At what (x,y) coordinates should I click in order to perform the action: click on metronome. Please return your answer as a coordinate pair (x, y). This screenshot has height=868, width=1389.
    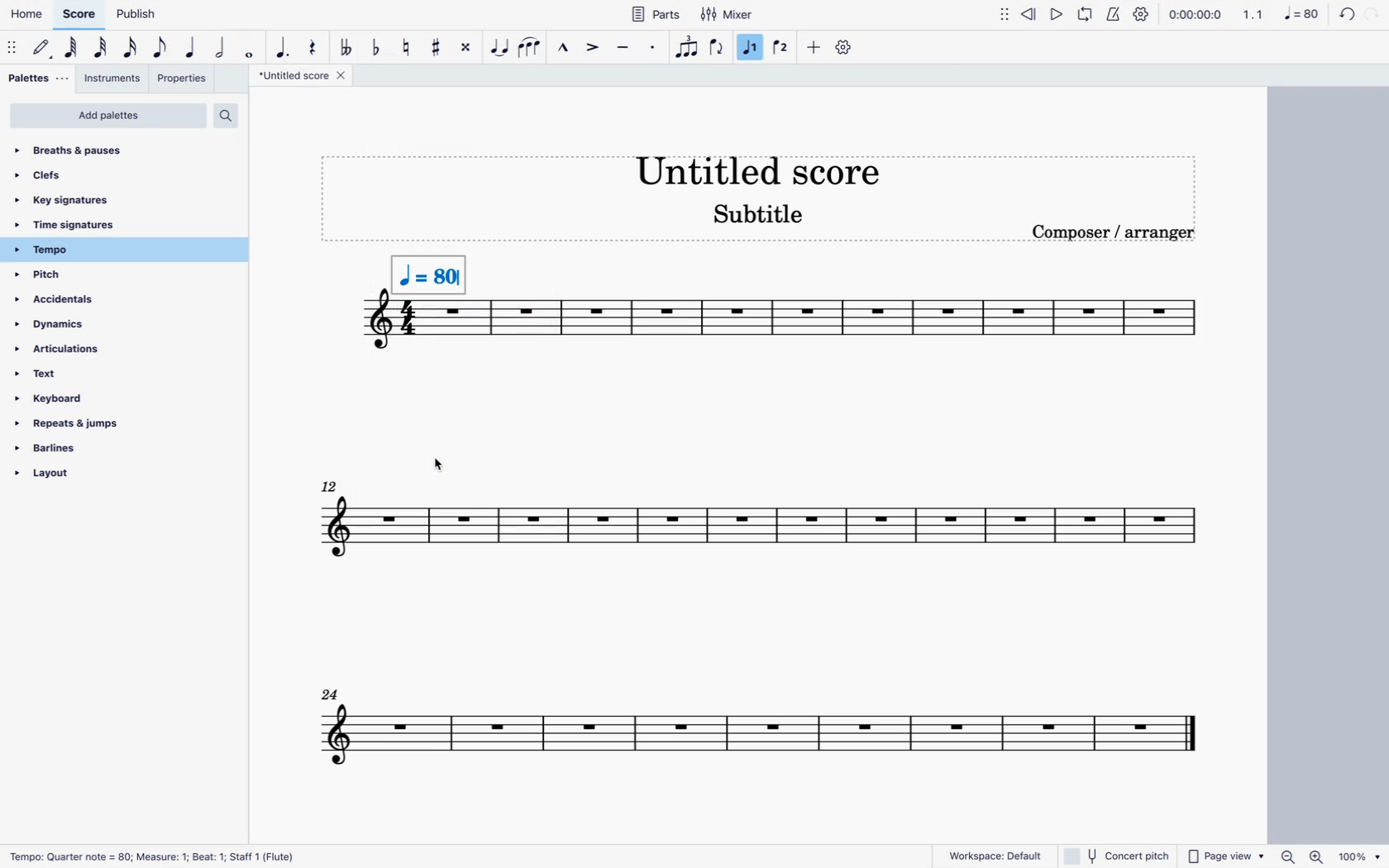
    Looking at the image, I should click on (1112, 14).